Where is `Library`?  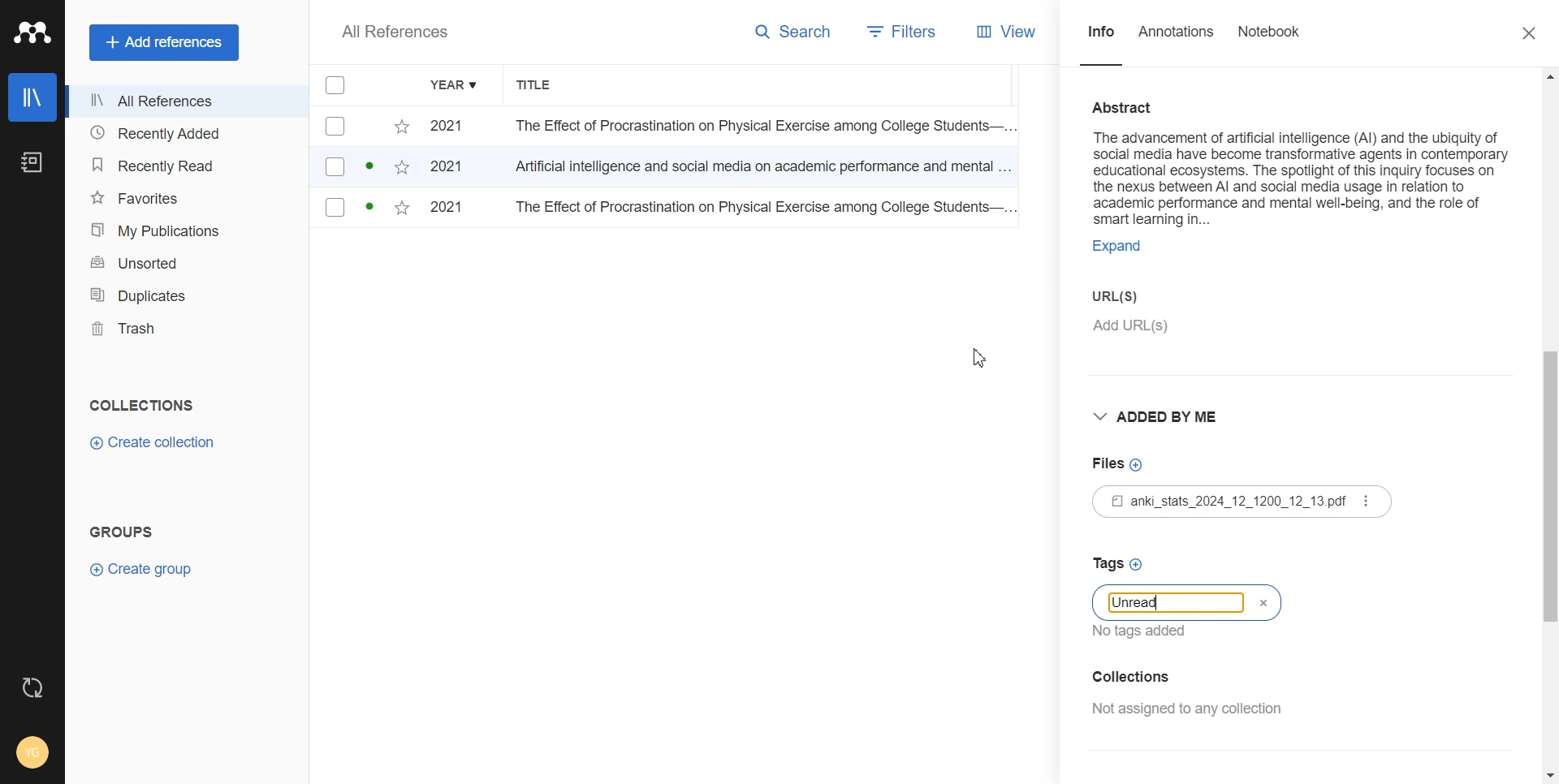 Library is located at coordinates (32, 97).